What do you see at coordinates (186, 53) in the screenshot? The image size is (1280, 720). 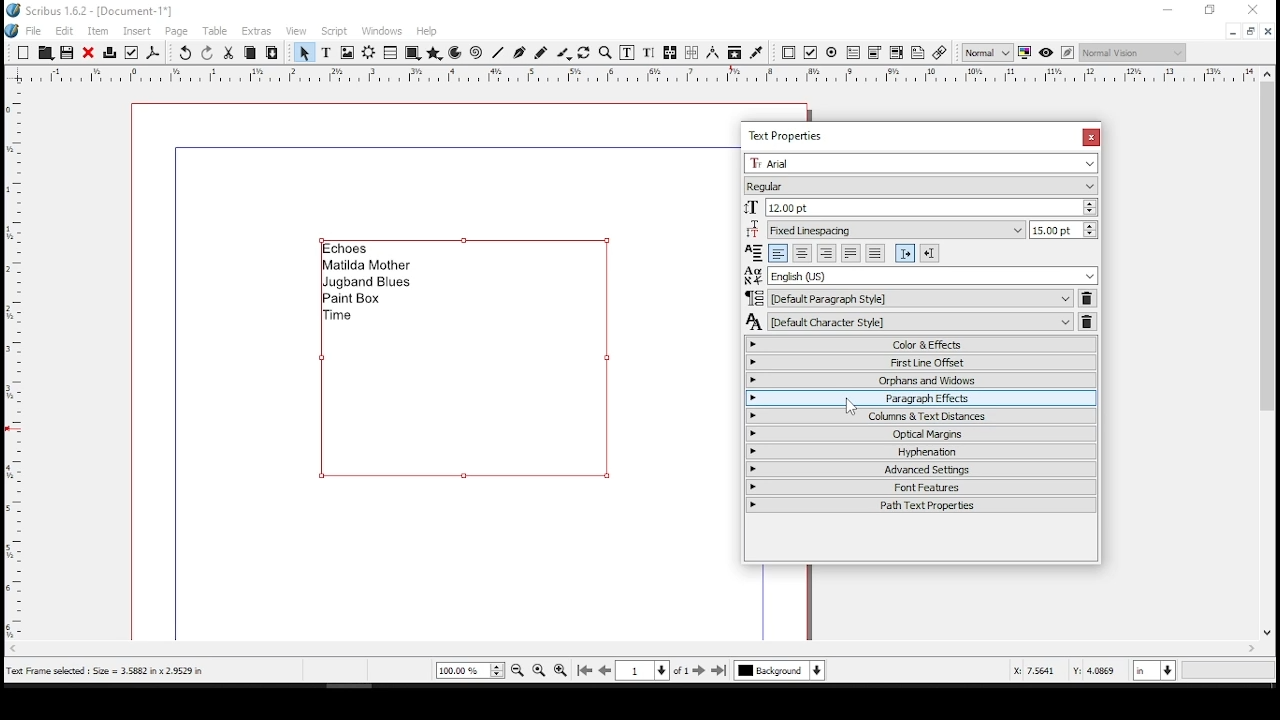 I see `undo` at bounding box center [186, 53].